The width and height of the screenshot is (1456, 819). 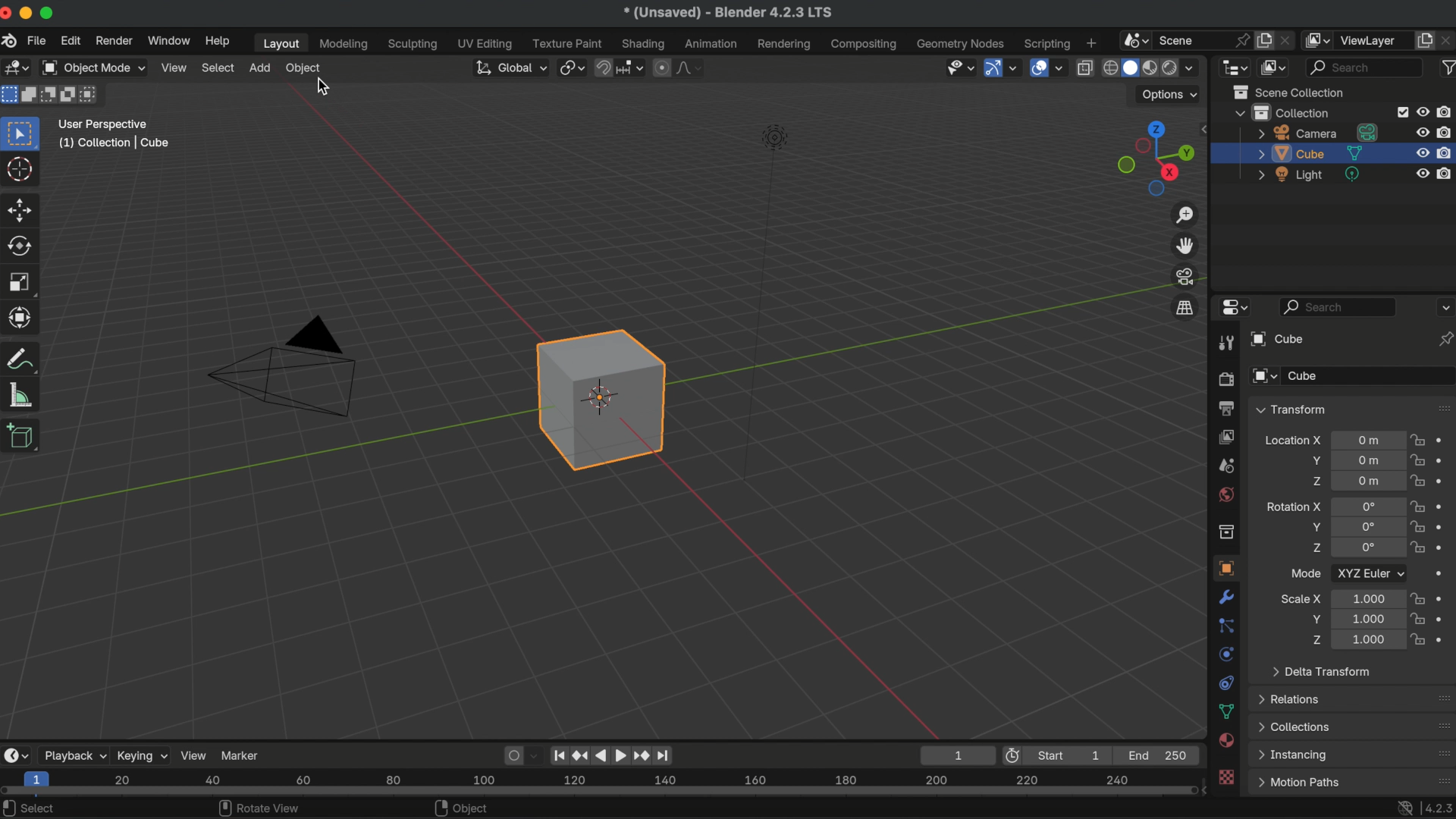 What do you see at coordinates (1316, 481) in the screenshot?
I see `location Z` at bounding box center [1316, 481].